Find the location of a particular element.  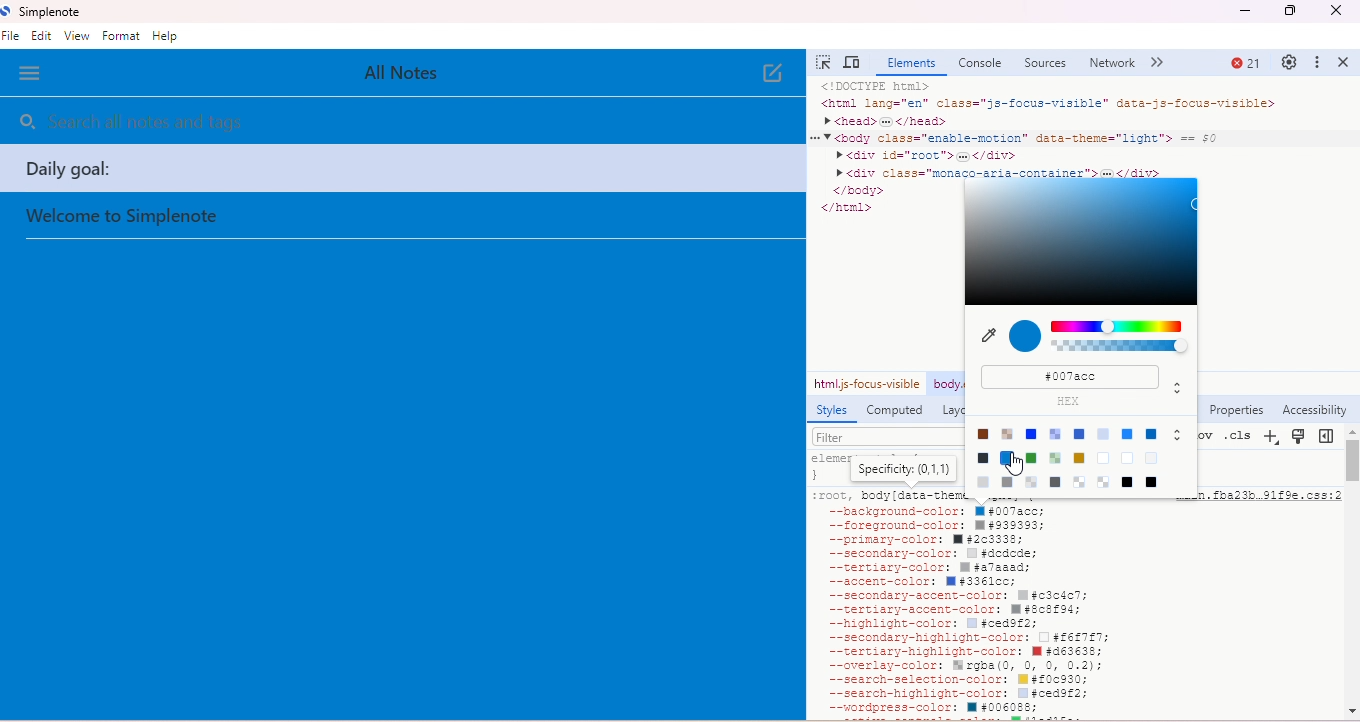

welcome simplenote is located at coordinates (124, 218).